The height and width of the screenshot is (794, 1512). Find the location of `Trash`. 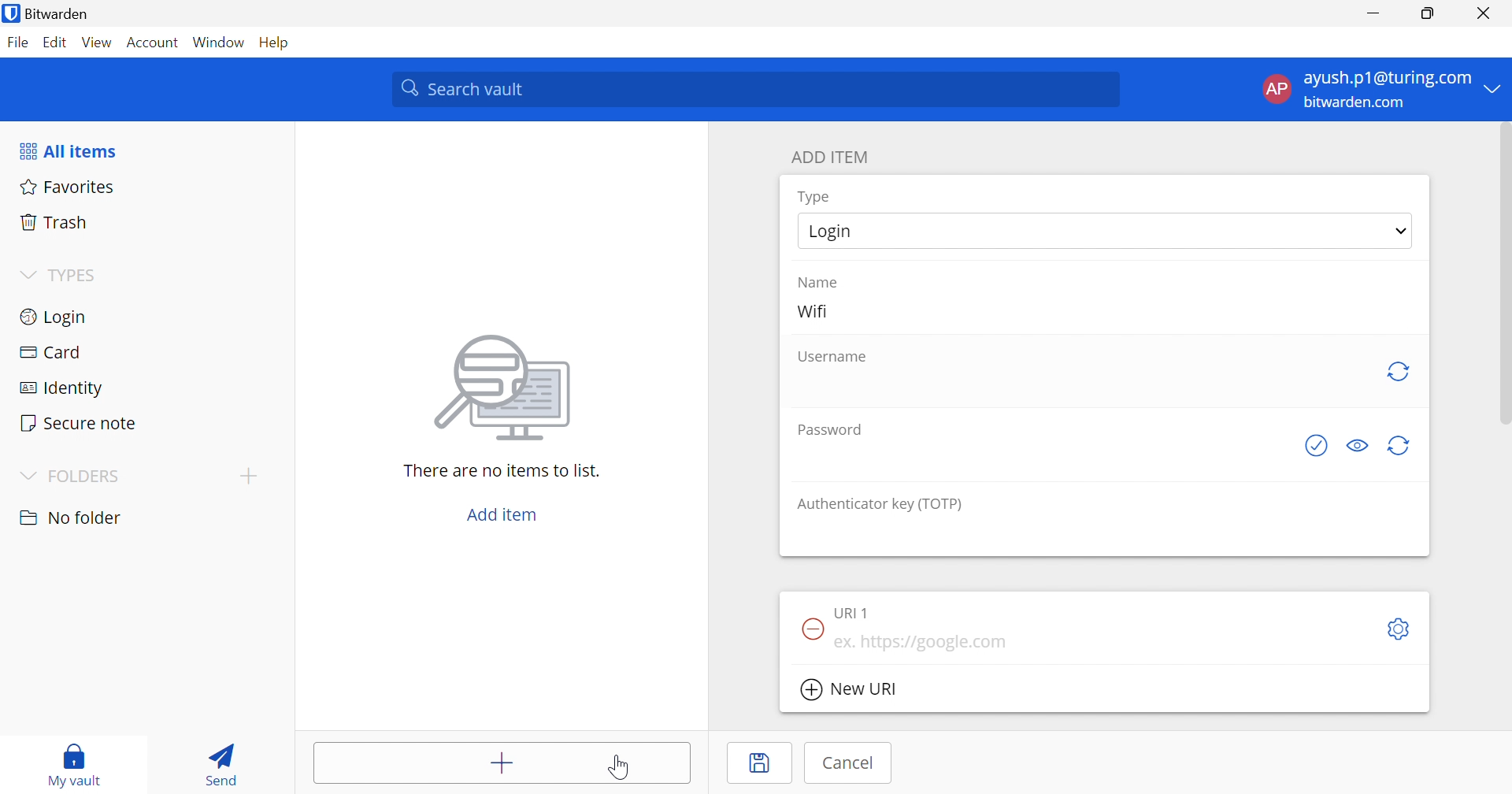

Trash is located at coordinates (54, 220).